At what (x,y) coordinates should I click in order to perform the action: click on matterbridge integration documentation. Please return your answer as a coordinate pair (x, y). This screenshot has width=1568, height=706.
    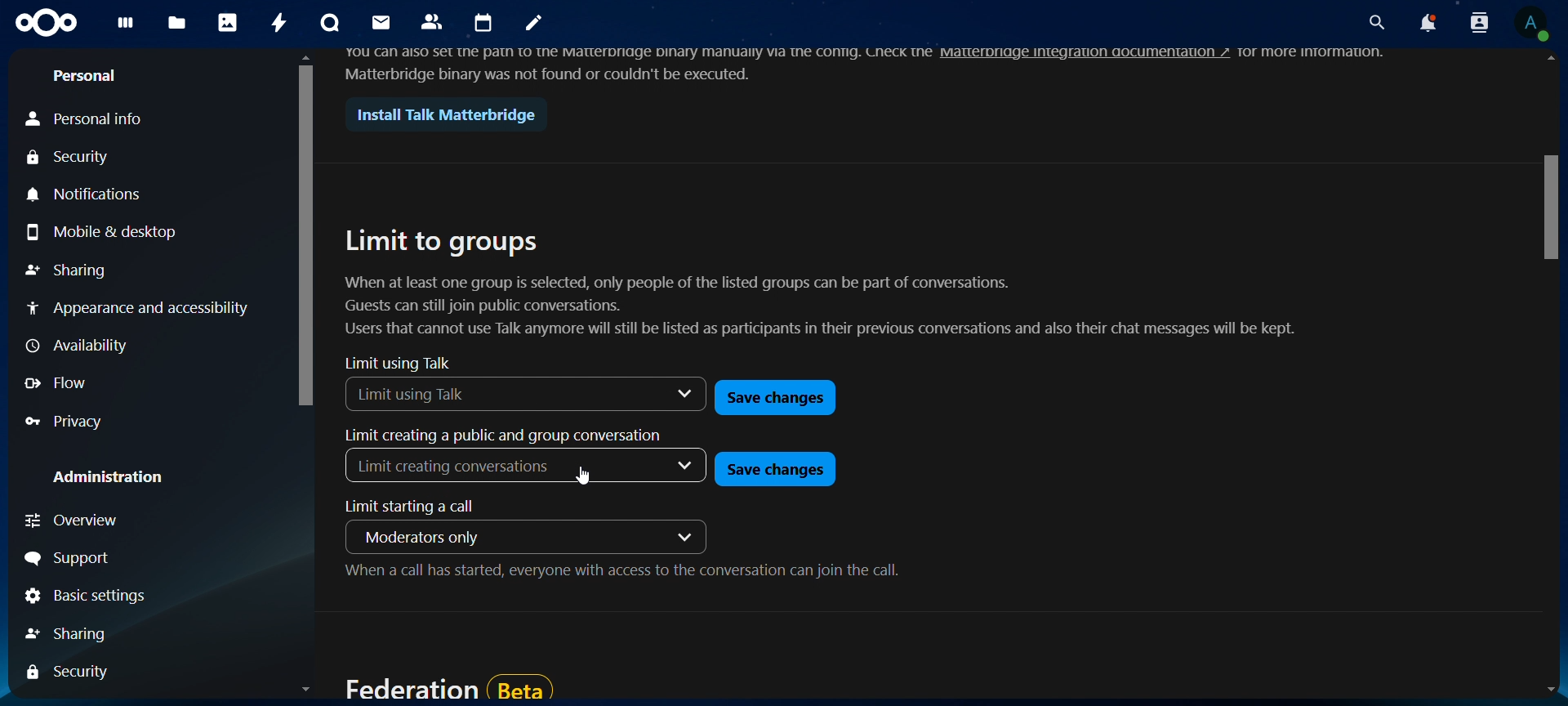
    Looking at the image, I should click on (1099, 55).